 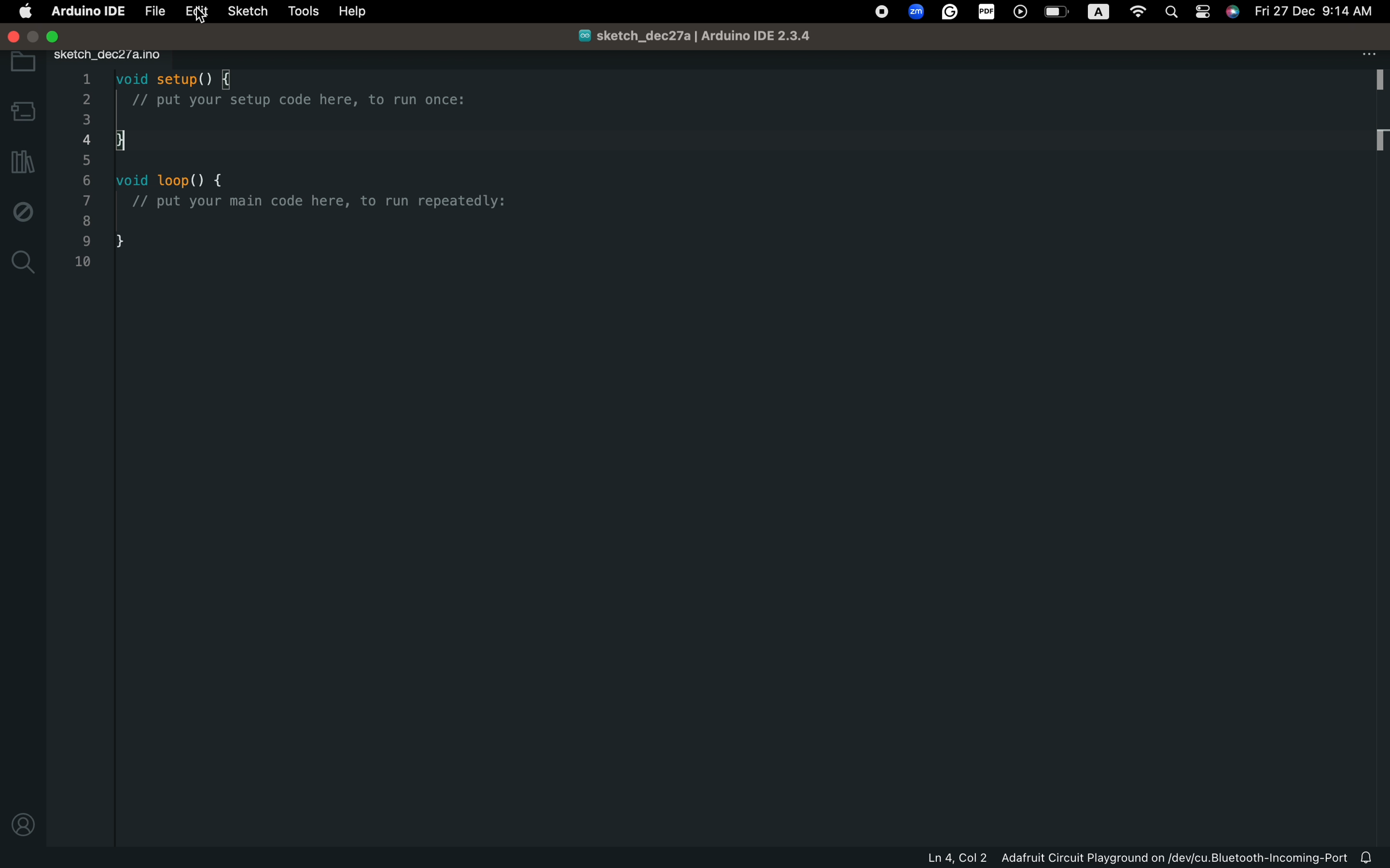 What do you see at coordinates (1367, 859) in the screenshot?
I see `notification` at bounding box center [1367, 859].